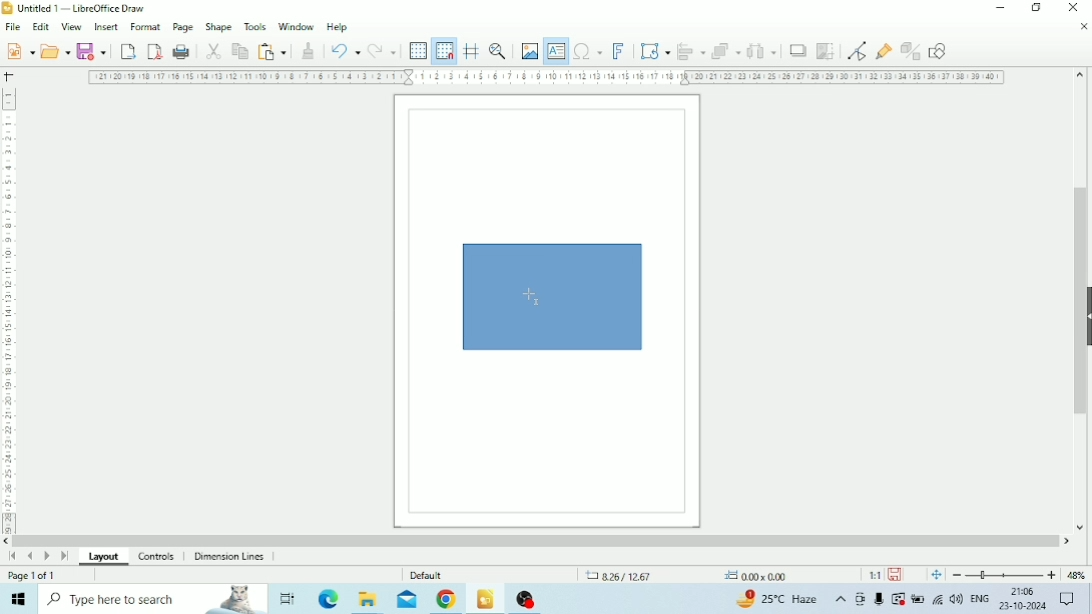 This screenshot has width=1092, height=614. Describe the element at coordinates (588, 51) in the screenshot. I see `Insert Special Characters` at that location.